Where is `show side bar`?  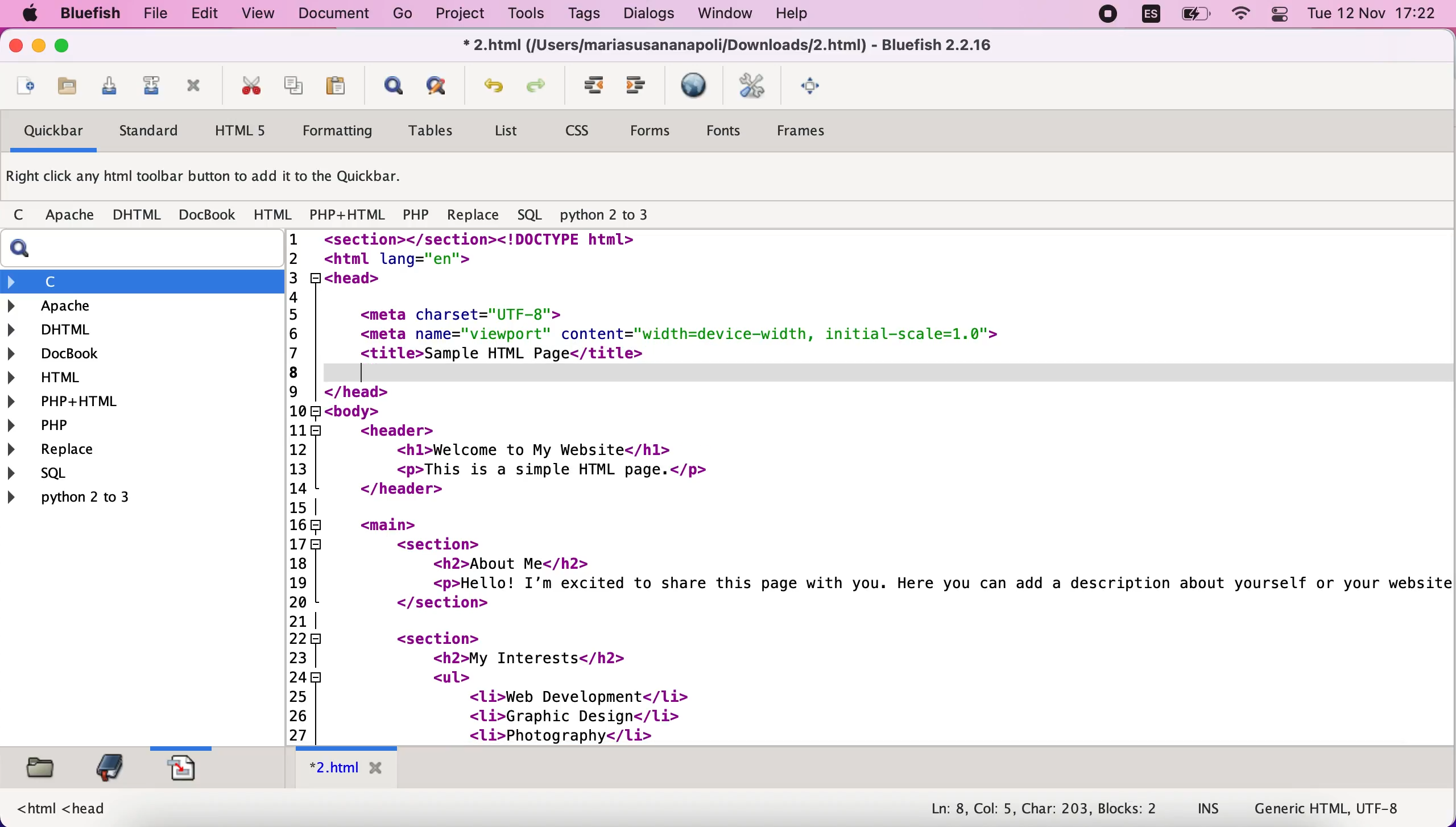 show side bar is located at coordinates (392, 86).